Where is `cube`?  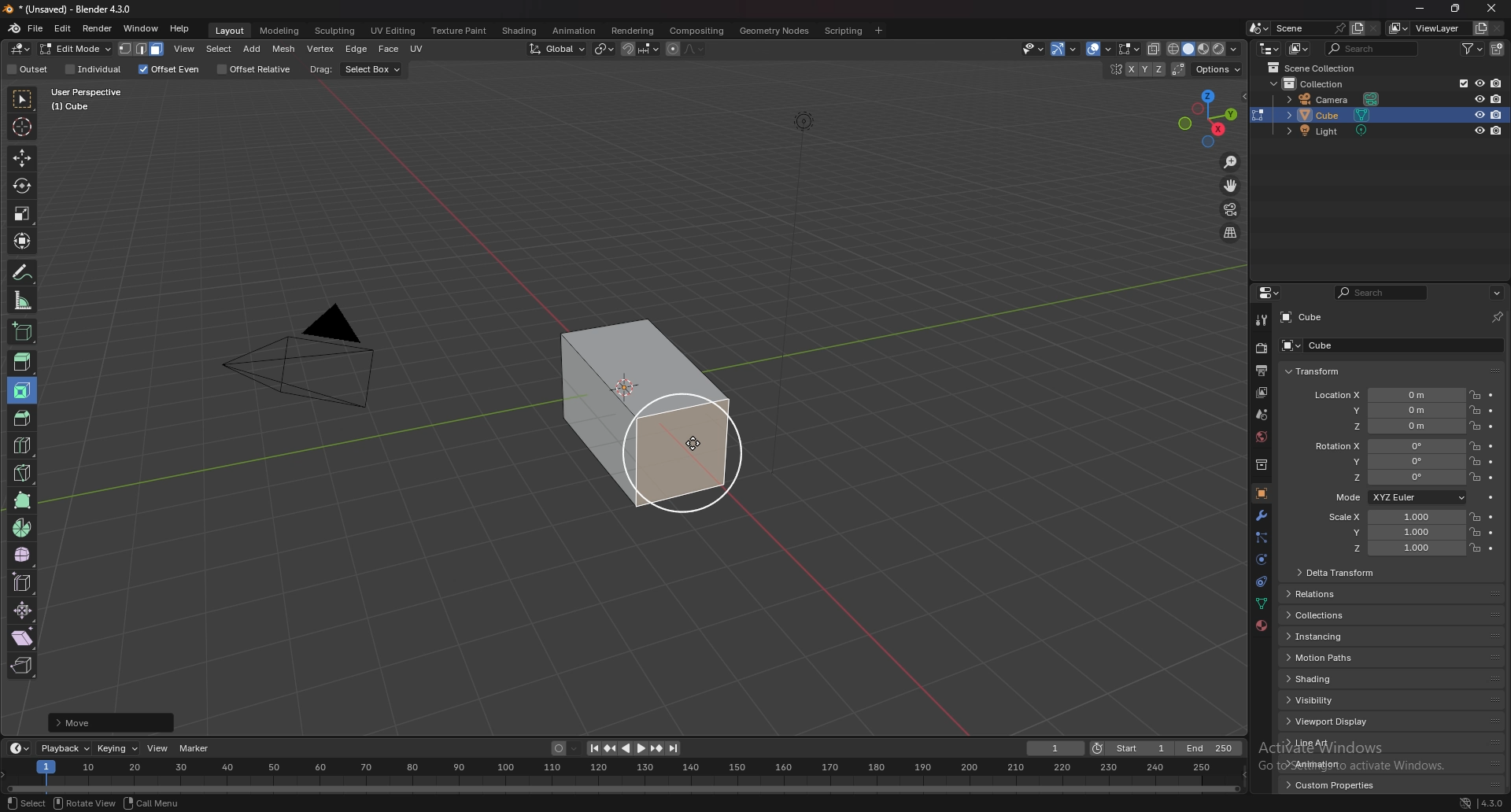
cube is located at coordinates (642, 425).